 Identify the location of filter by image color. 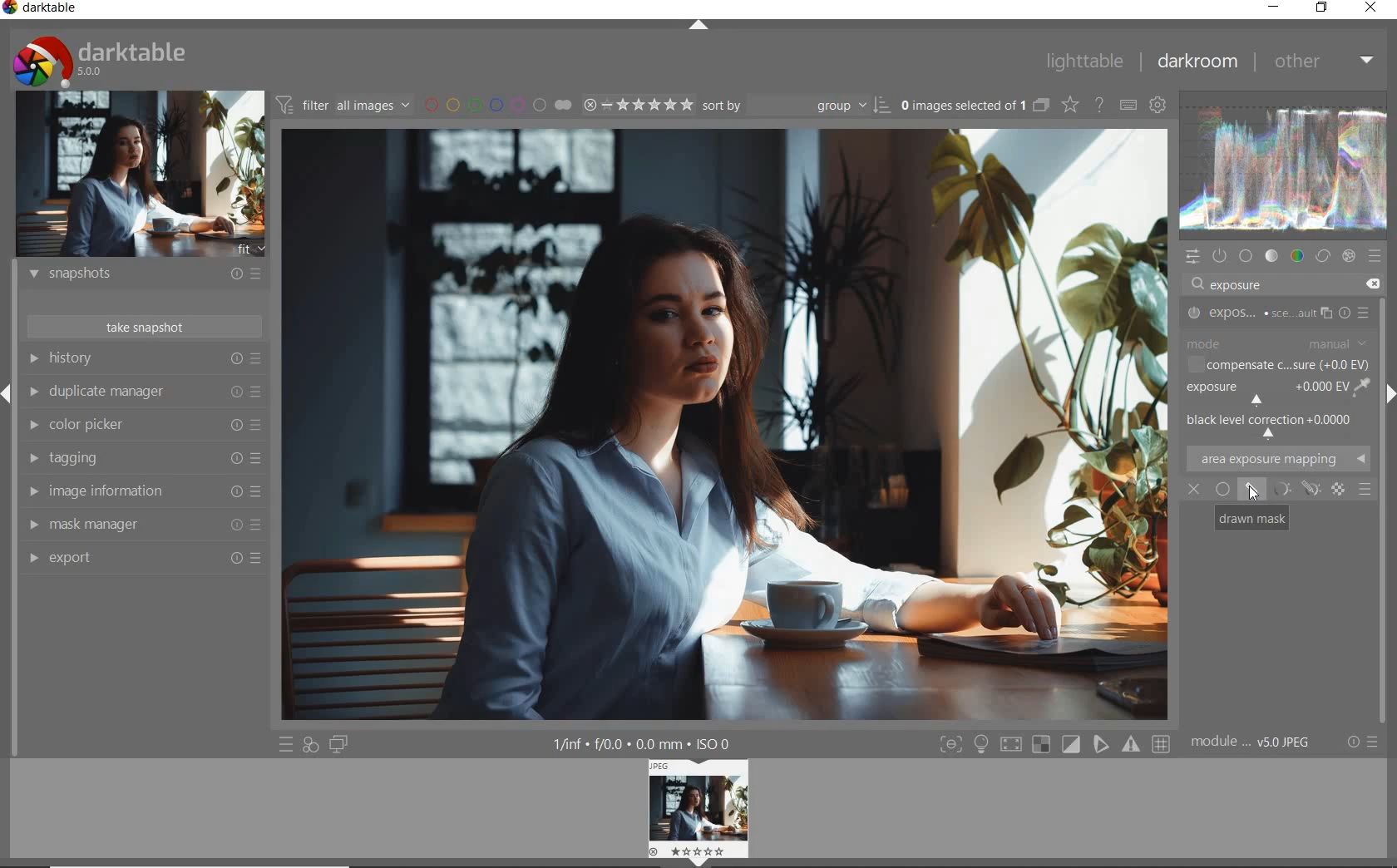
(498, 105).